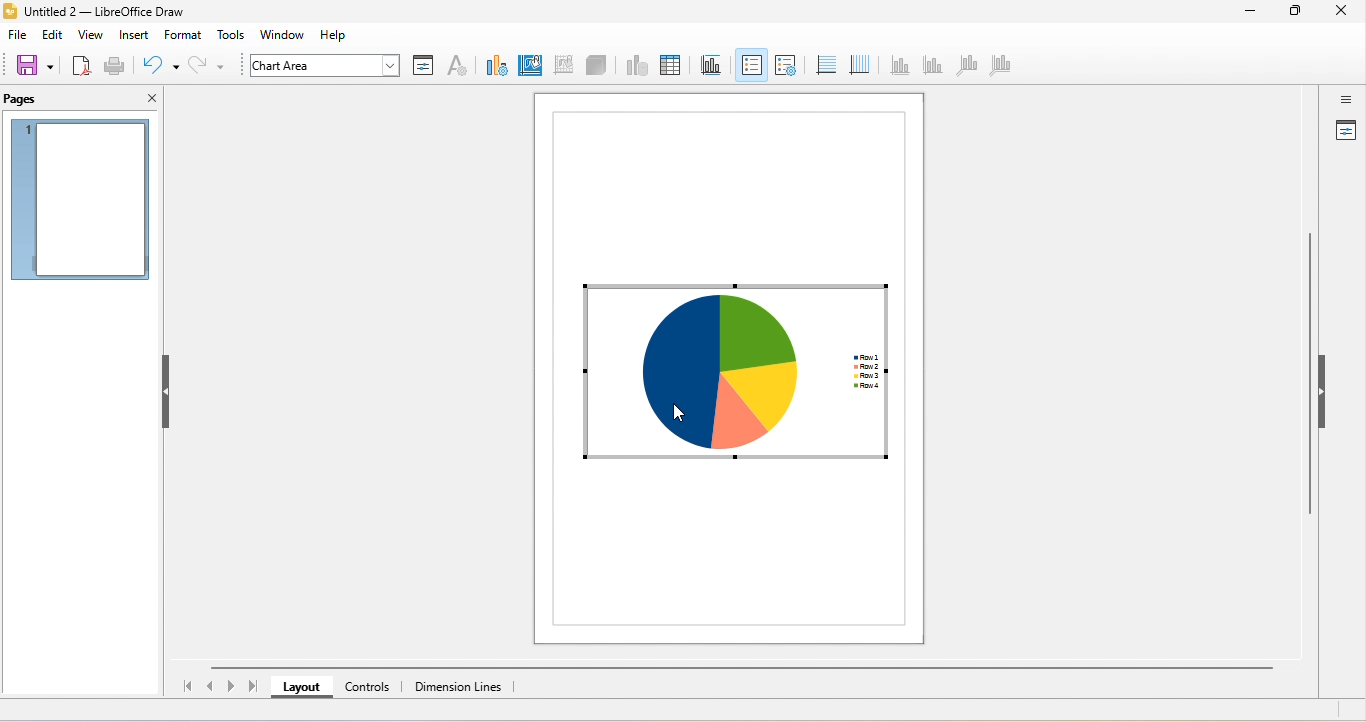 The height and width of the screenshot is (722, 1366). What do you see at coordinates (899, 64) in the screenshot?
I see `x axis` at bounding box center [899, 64].